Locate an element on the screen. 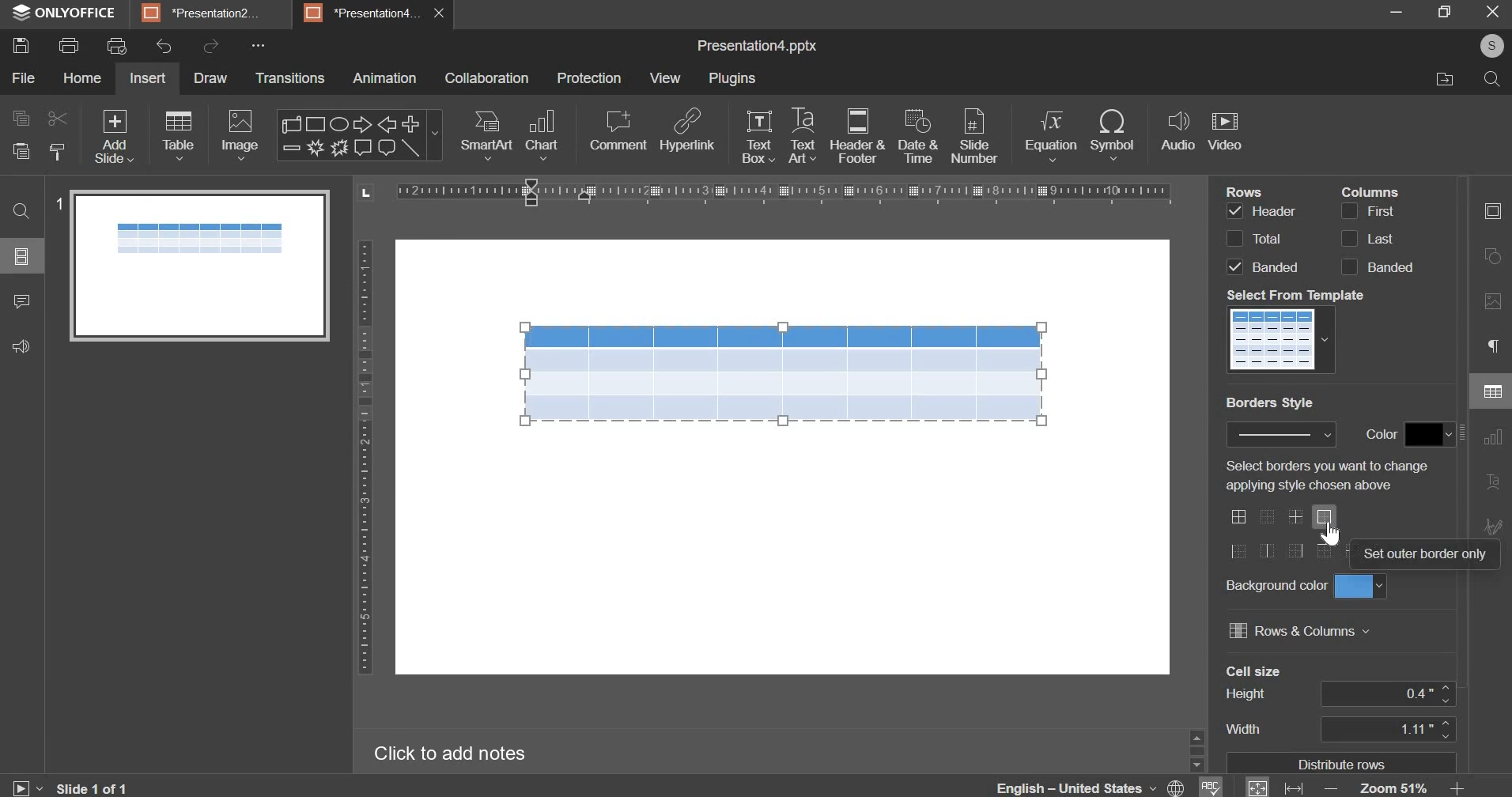 The width and height of the screenshot is (1512, 797). shape settings is located at coordinates (1492, 256).